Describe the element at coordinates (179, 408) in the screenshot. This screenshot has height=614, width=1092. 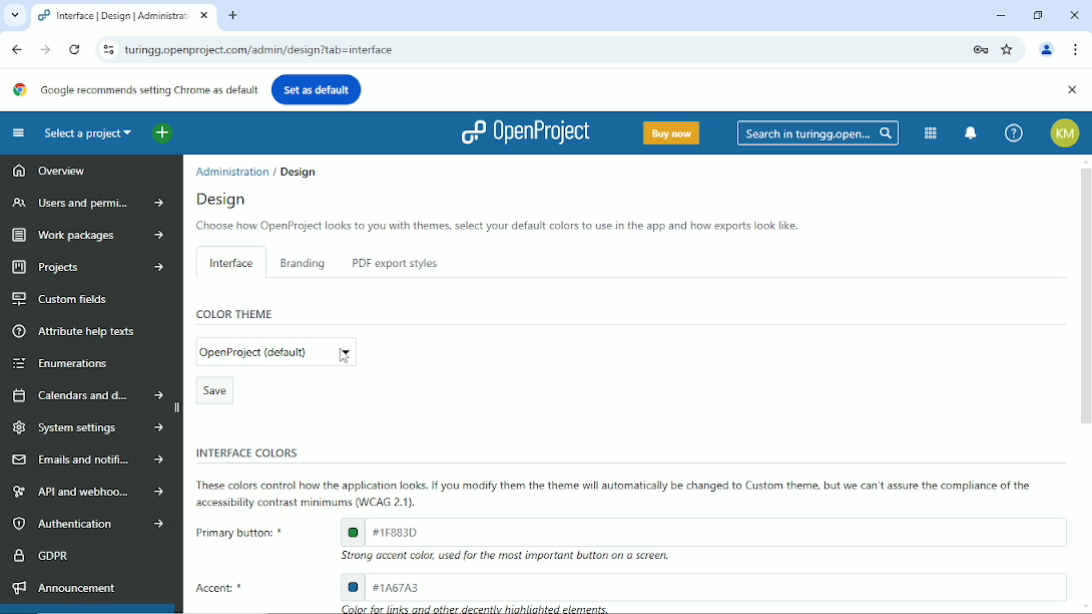
I see `hide sidebar` at that location.